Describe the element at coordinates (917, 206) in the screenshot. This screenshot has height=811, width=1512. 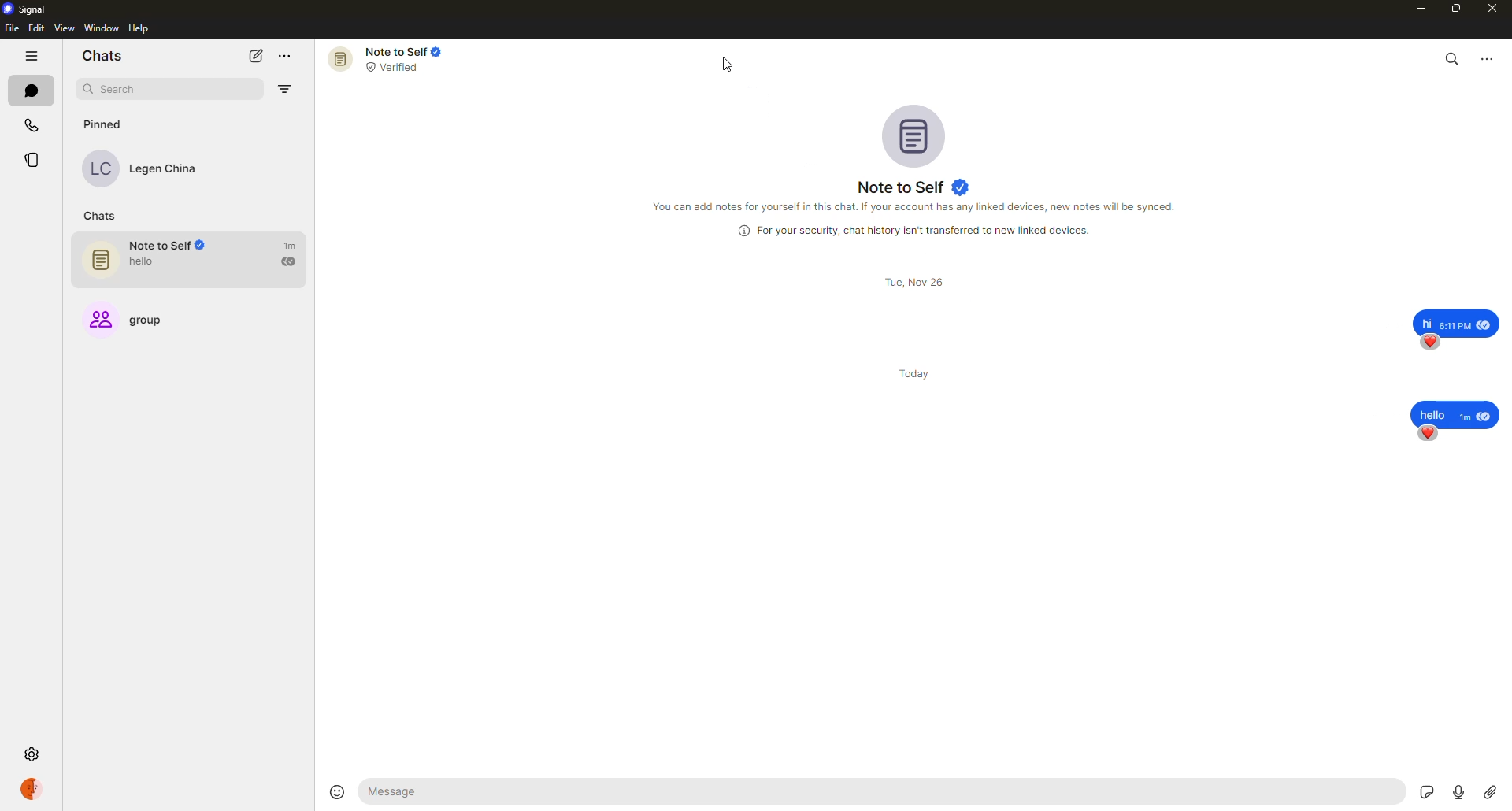
I see `info` at that location.